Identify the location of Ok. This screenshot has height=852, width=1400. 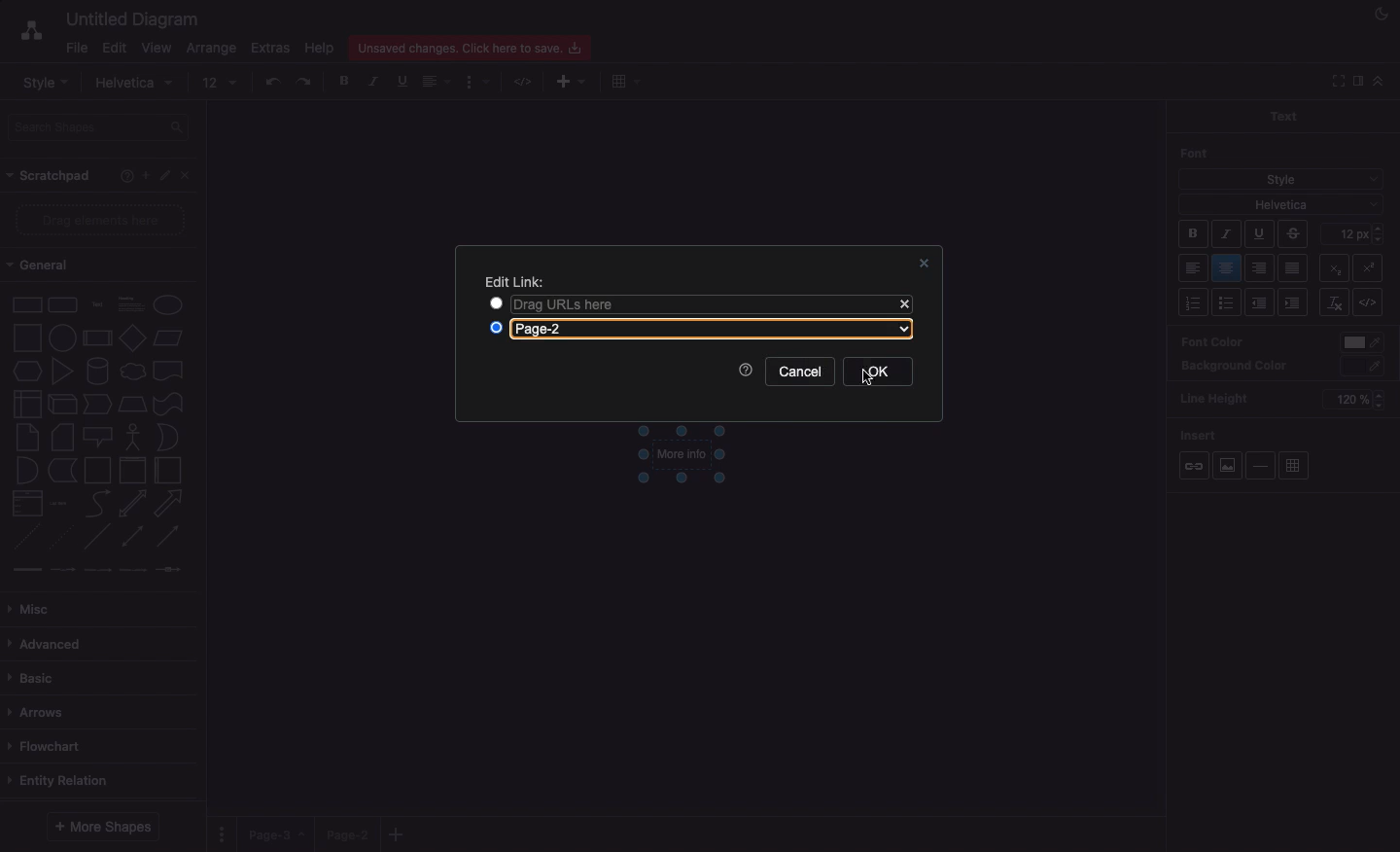
(891, 372).